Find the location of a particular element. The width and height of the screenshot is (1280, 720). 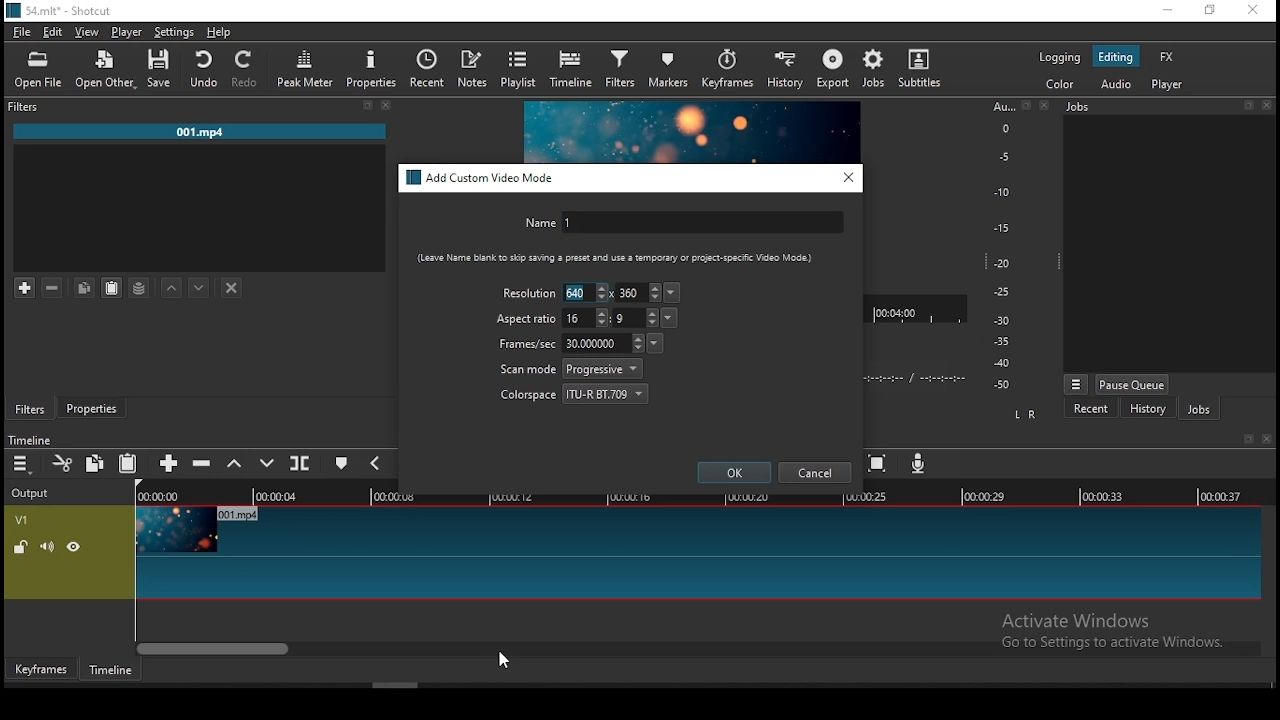

00:00:20 is located at coordinates (746, 495).